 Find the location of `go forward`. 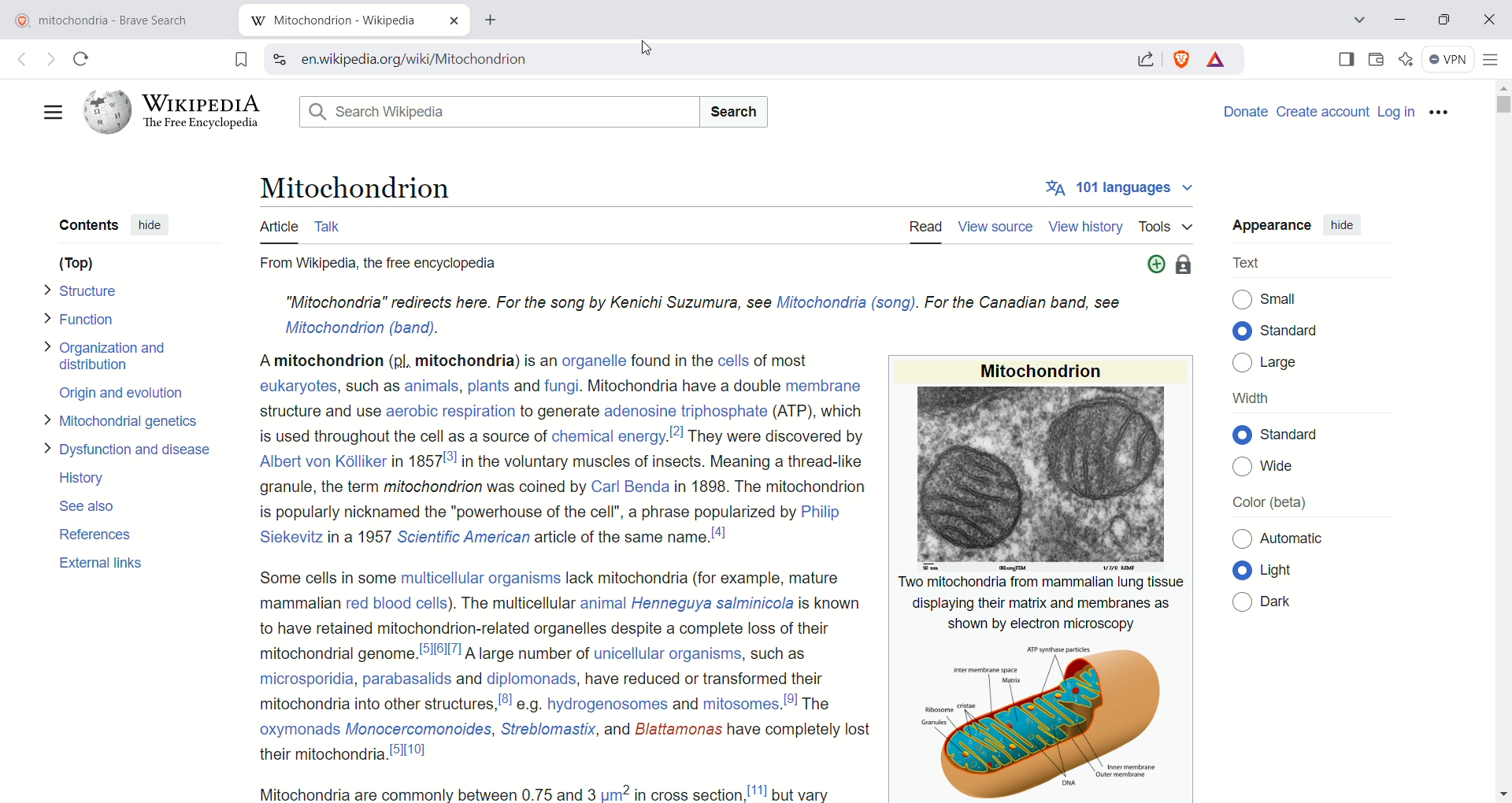

go forward is located at coordinates (50, 60).